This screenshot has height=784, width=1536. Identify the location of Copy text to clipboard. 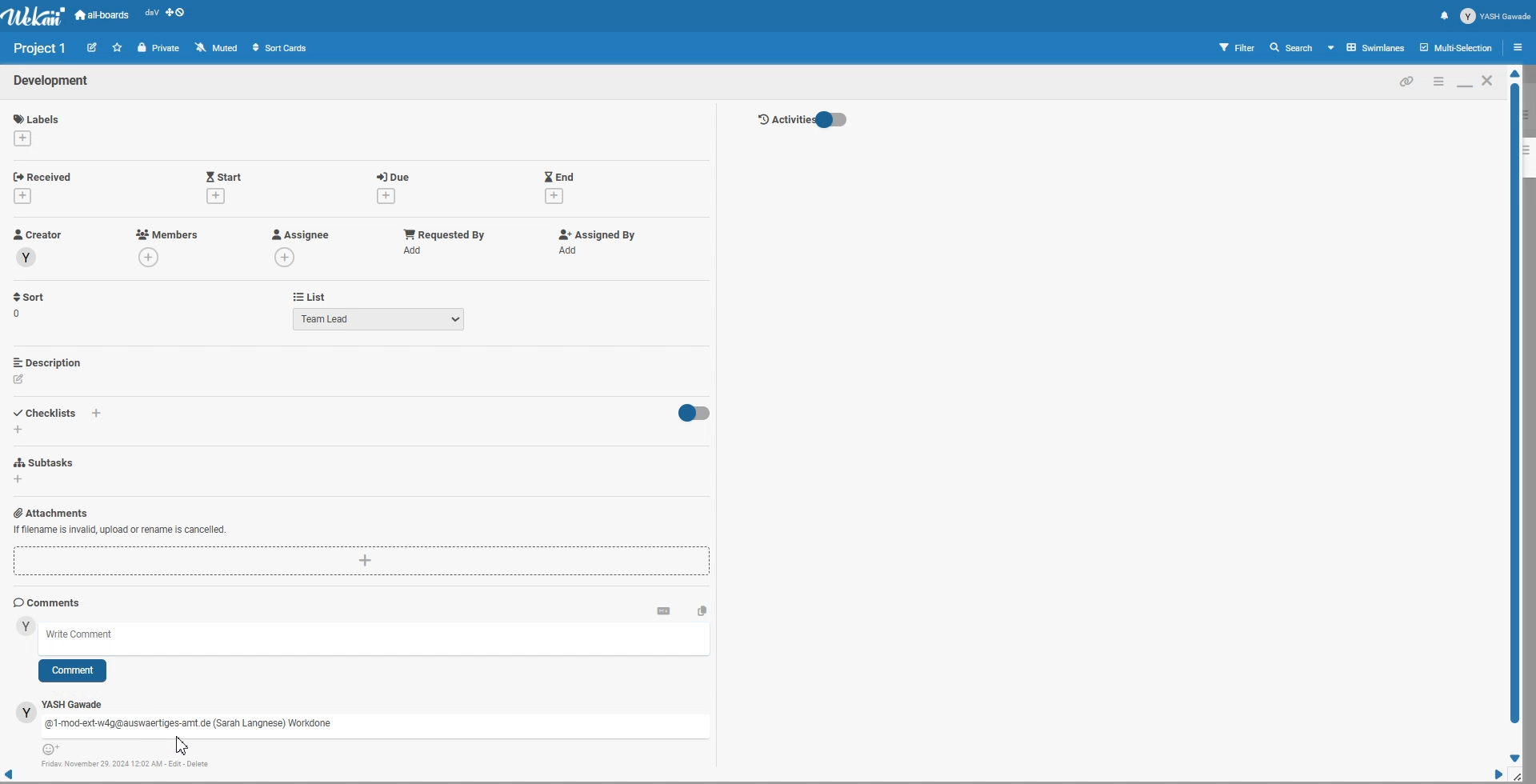
(702, 610).